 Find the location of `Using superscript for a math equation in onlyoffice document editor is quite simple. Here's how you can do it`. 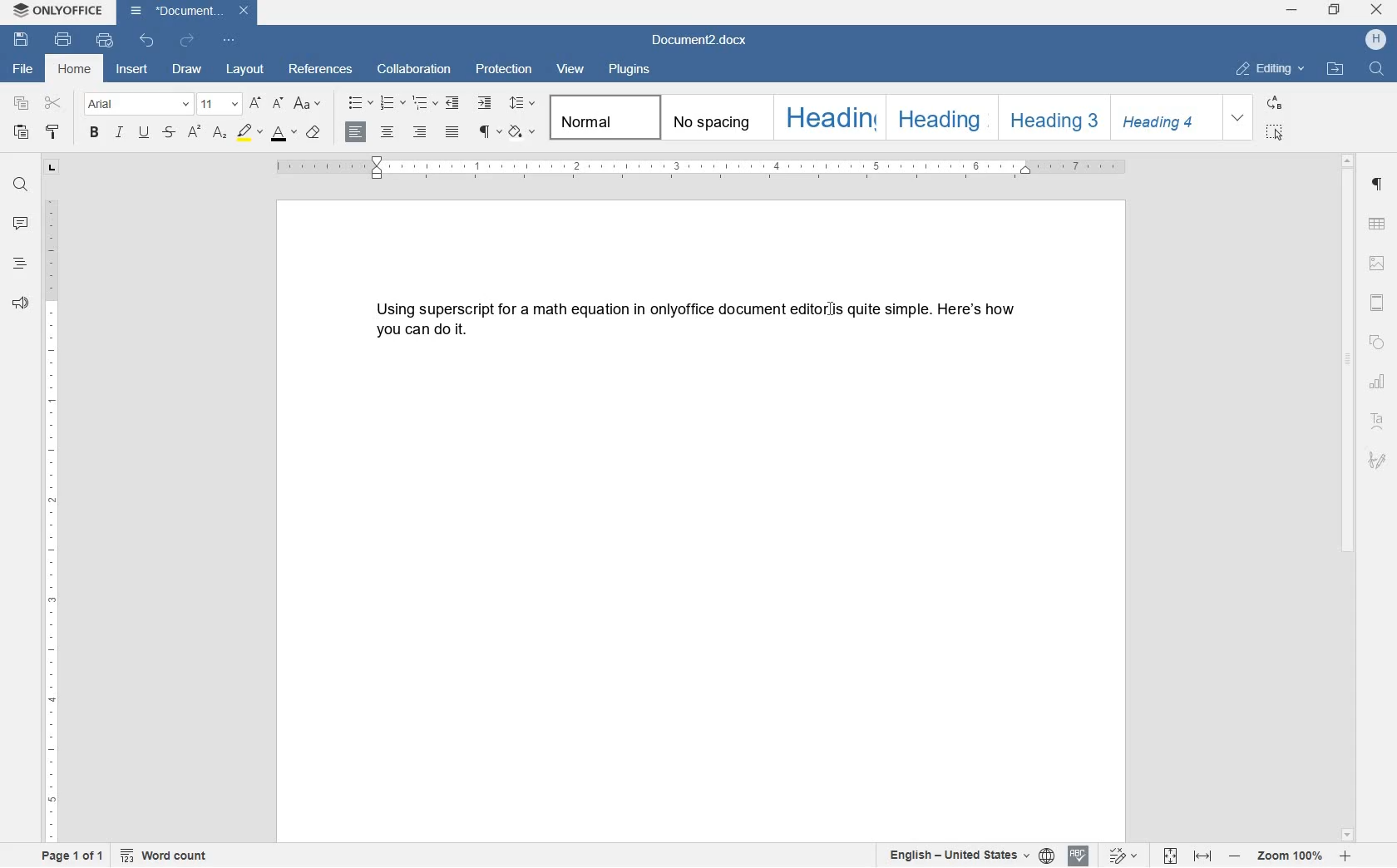

Using superscript for a math equation in onlyoffice document editor is quite simple. Here's how you can do it is located at coordinates (692, 321).